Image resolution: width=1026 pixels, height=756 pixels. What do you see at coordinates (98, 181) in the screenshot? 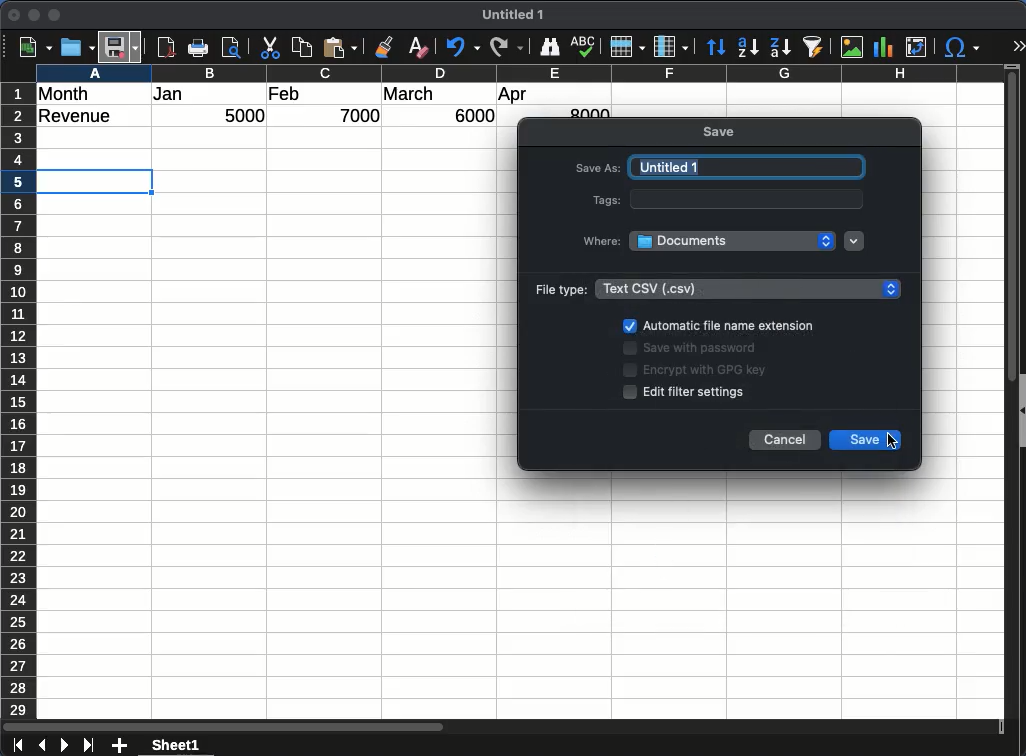
I see `selection` at bounding box center [98, 181].